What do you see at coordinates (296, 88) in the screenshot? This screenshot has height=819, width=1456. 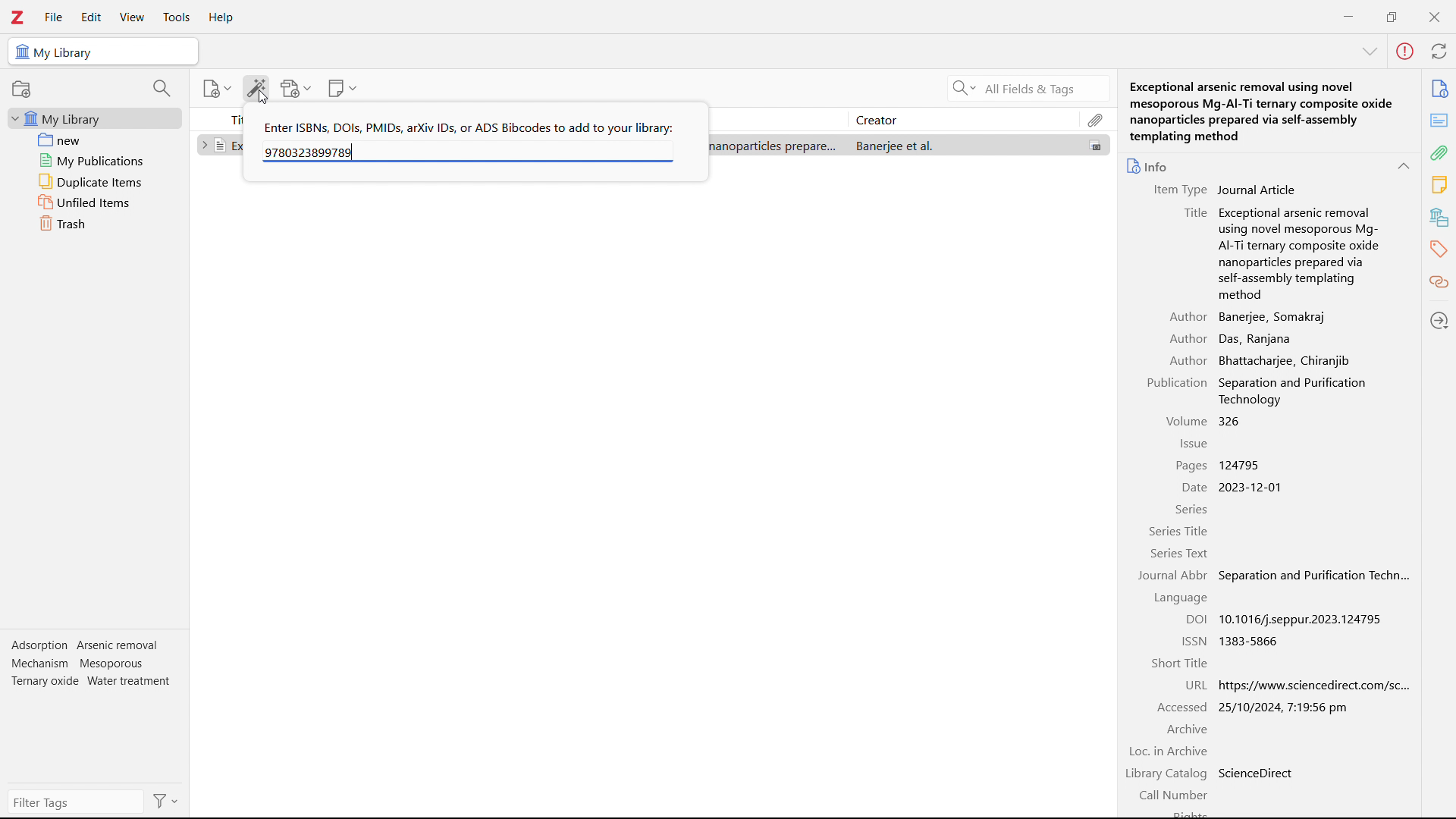 I see `add attachments` at bounding box center [296, 88].